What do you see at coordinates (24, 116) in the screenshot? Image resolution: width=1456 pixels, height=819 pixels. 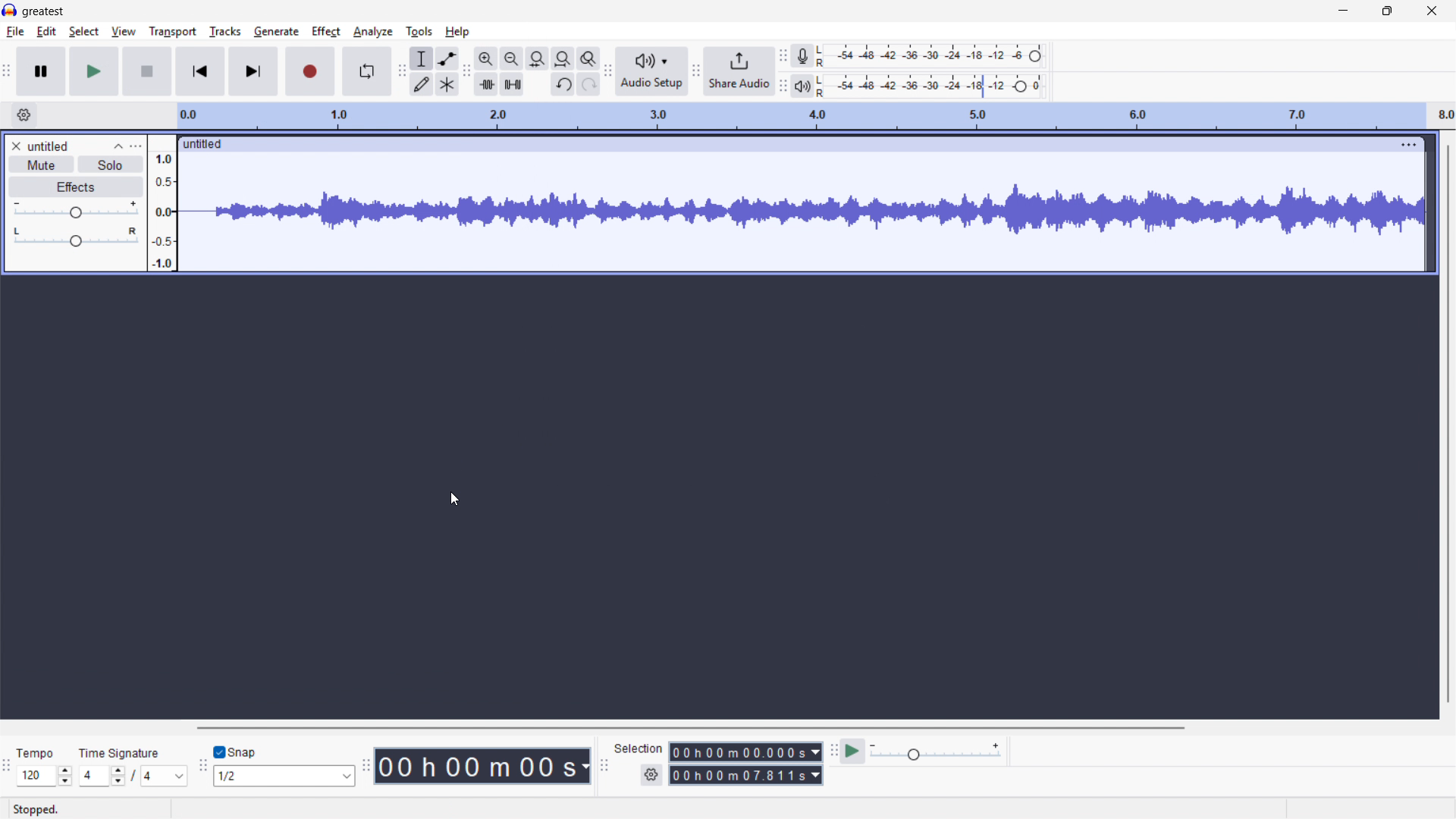 I see `timeline settings` at bounding box center [24, 116].